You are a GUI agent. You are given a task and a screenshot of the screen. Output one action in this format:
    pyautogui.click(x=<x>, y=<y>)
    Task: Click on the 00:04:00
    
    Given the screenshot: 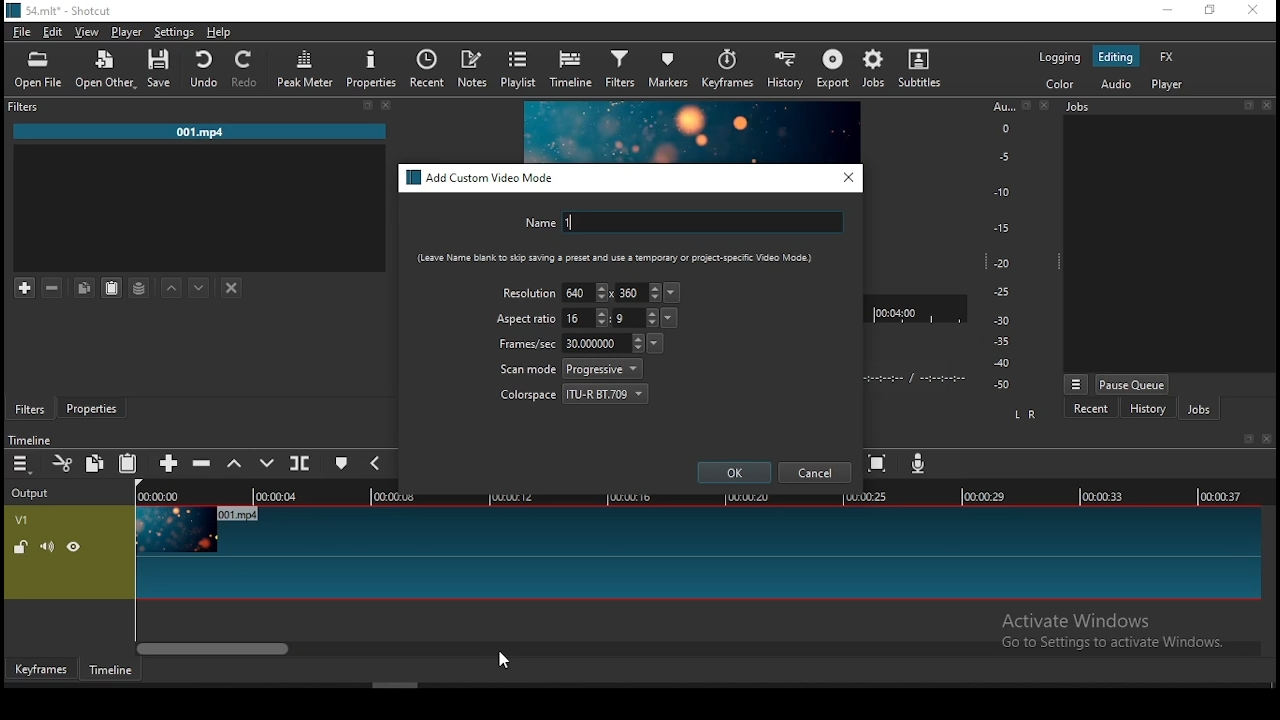 What is the action you would take?
    pyautogui.click(x=898, y=309)
    